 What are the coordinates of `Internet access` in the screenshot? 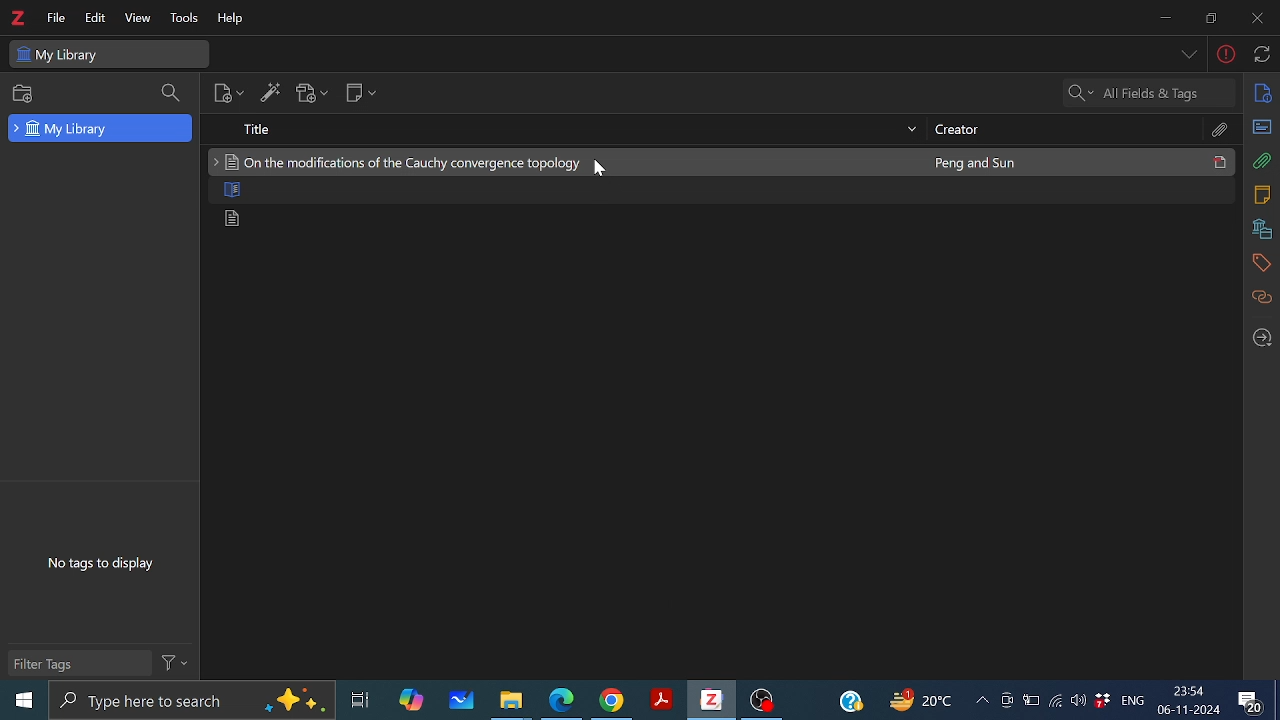 It's located at (1056, 701).